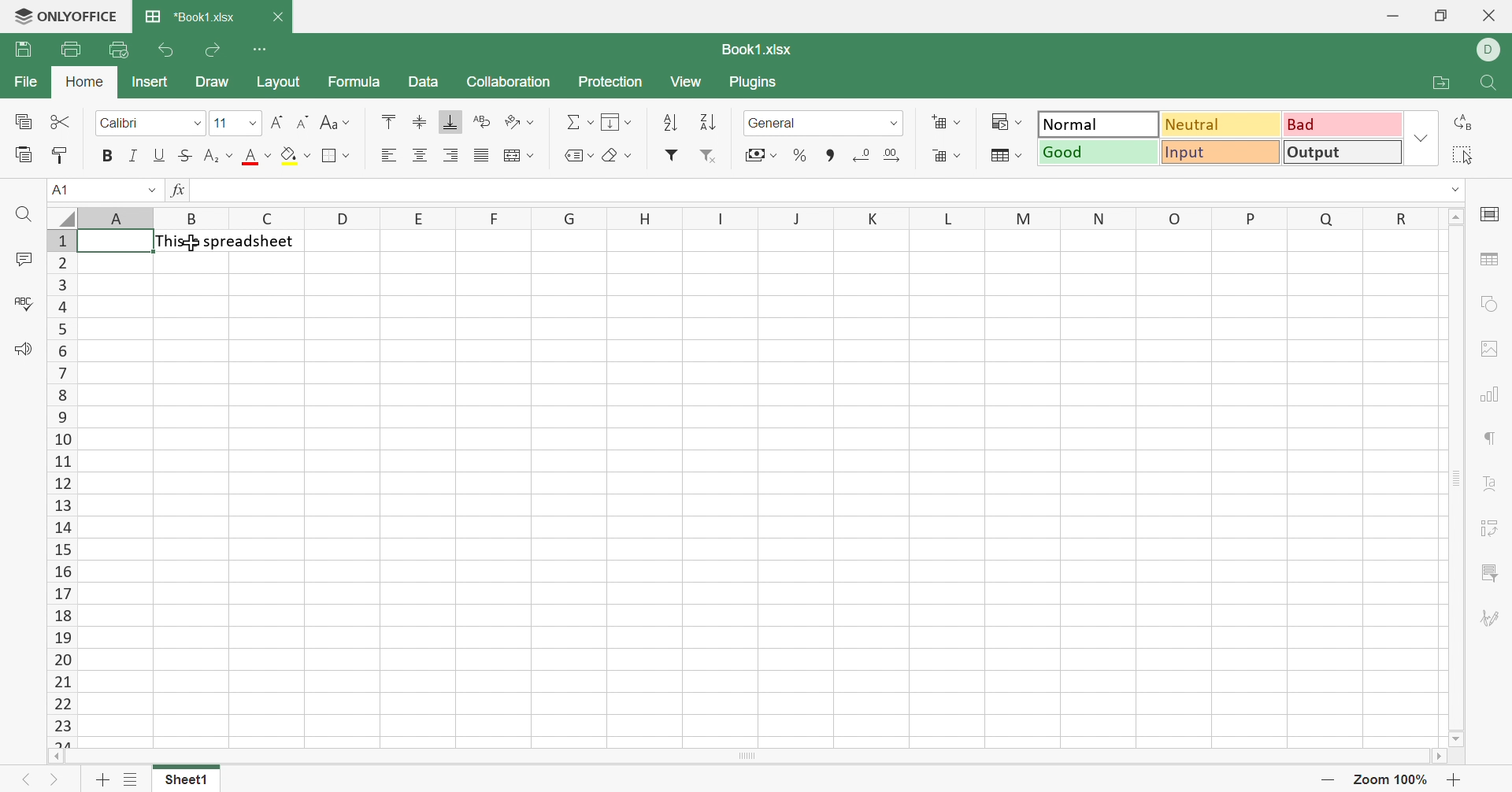 Image resolution: width=1512 pixels, height=792 pixels. Describe the element at coordinates (1020, 123) in the screenshot. I see `Drop Down` at that location.